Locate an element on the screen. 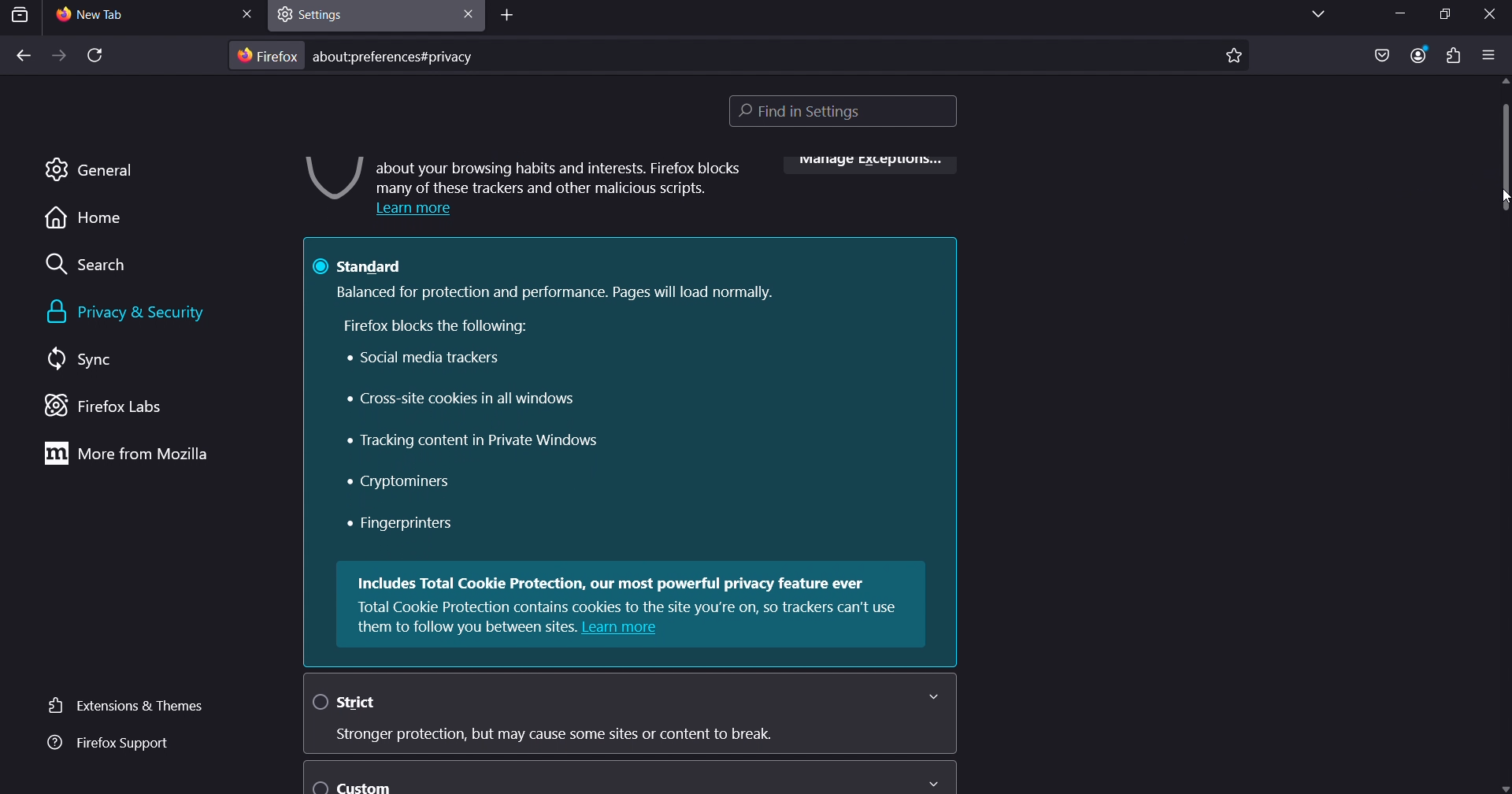  list all tabs is located at coordinates (1312, 15).